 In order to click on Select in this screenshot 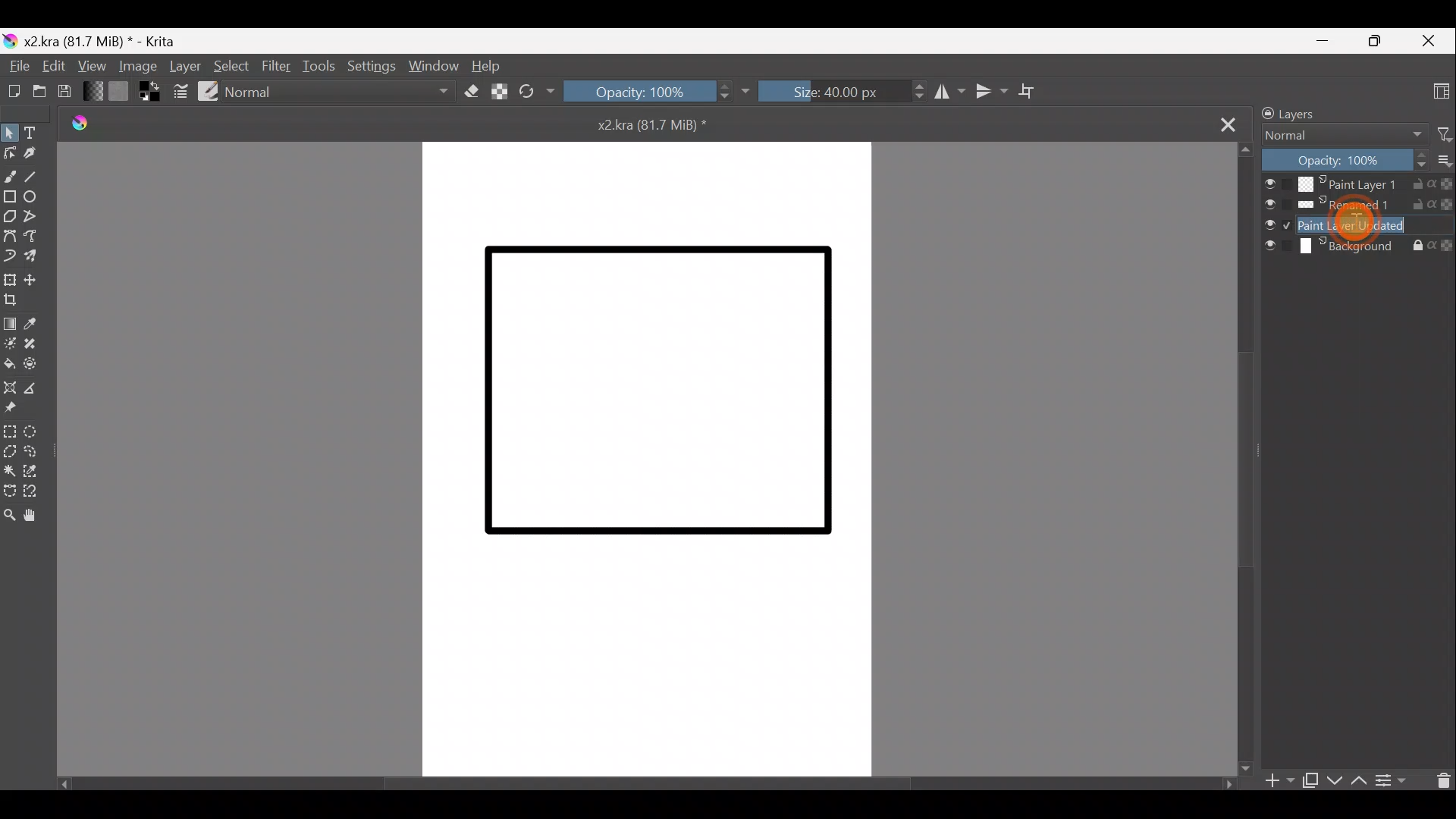, I will do `click(231, 68)`.